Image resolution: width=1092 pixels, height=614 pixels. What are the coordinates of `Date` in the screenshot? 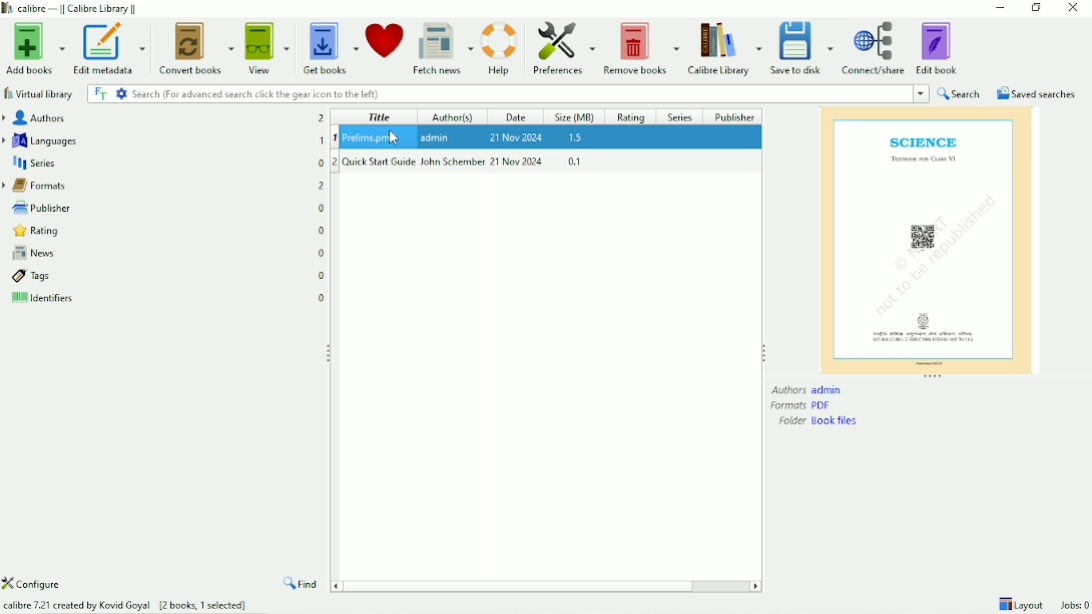 It's located at (519, 117).